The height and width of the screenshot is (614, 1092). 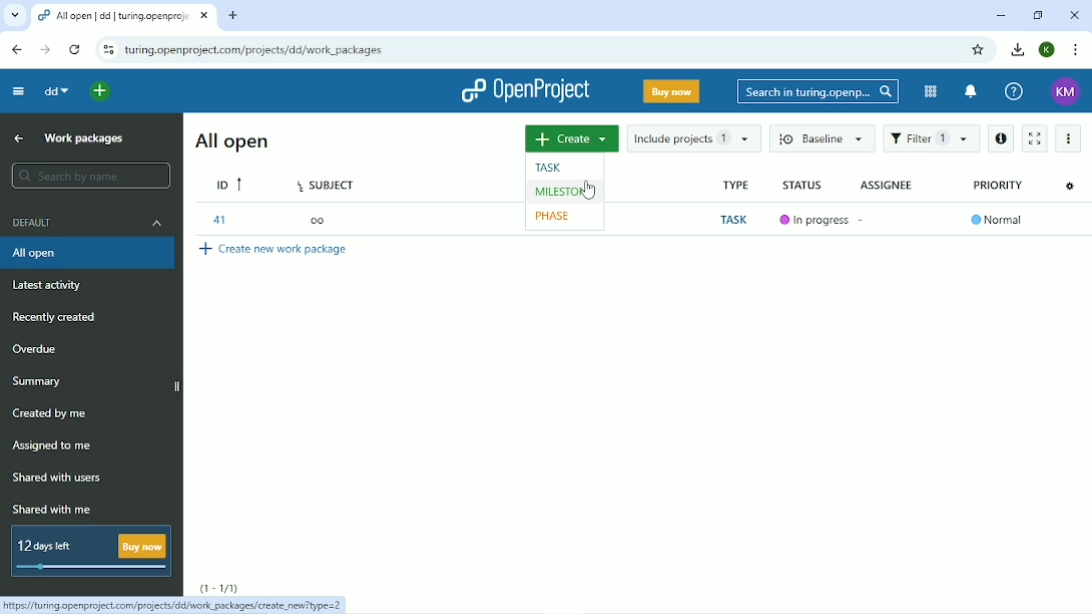 I want to click on Shared with me, so click(x=49, y=509).